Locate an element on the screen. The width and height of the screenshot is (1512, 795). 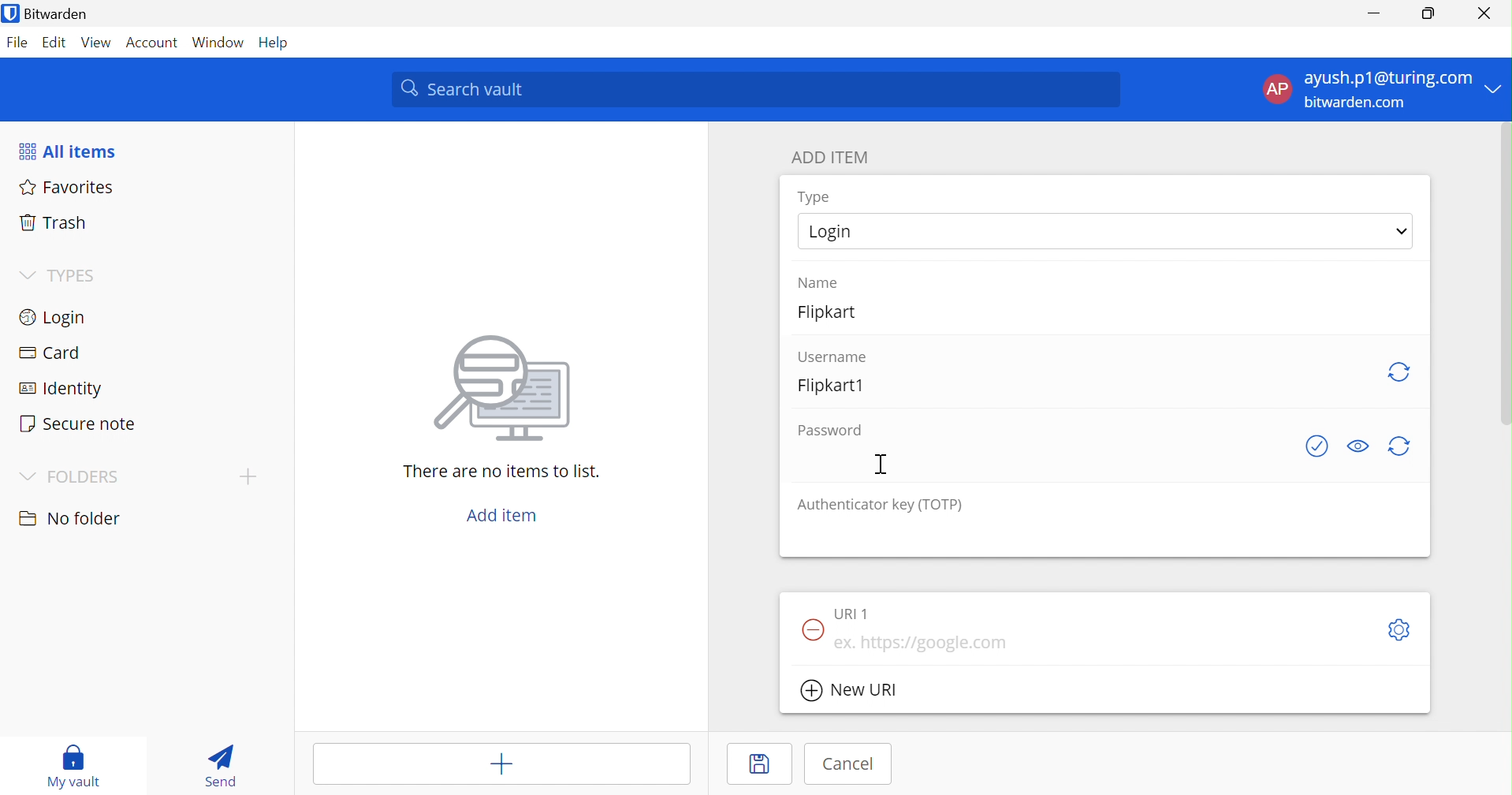
New URL is located at coordinates (859, 692).